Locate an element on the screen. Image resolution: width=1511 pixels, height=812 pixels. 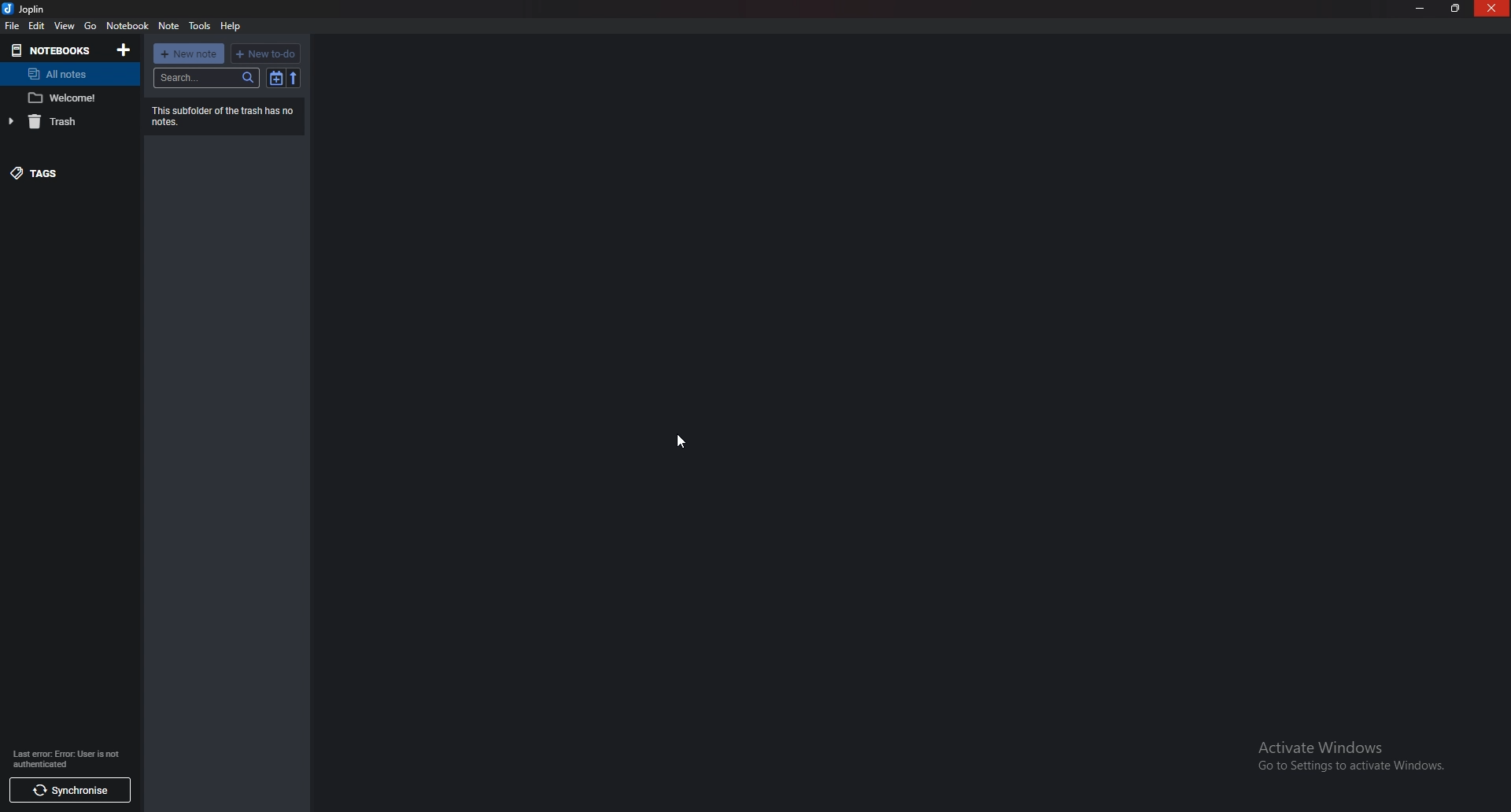
New to do is located at coordinates (265, 54).